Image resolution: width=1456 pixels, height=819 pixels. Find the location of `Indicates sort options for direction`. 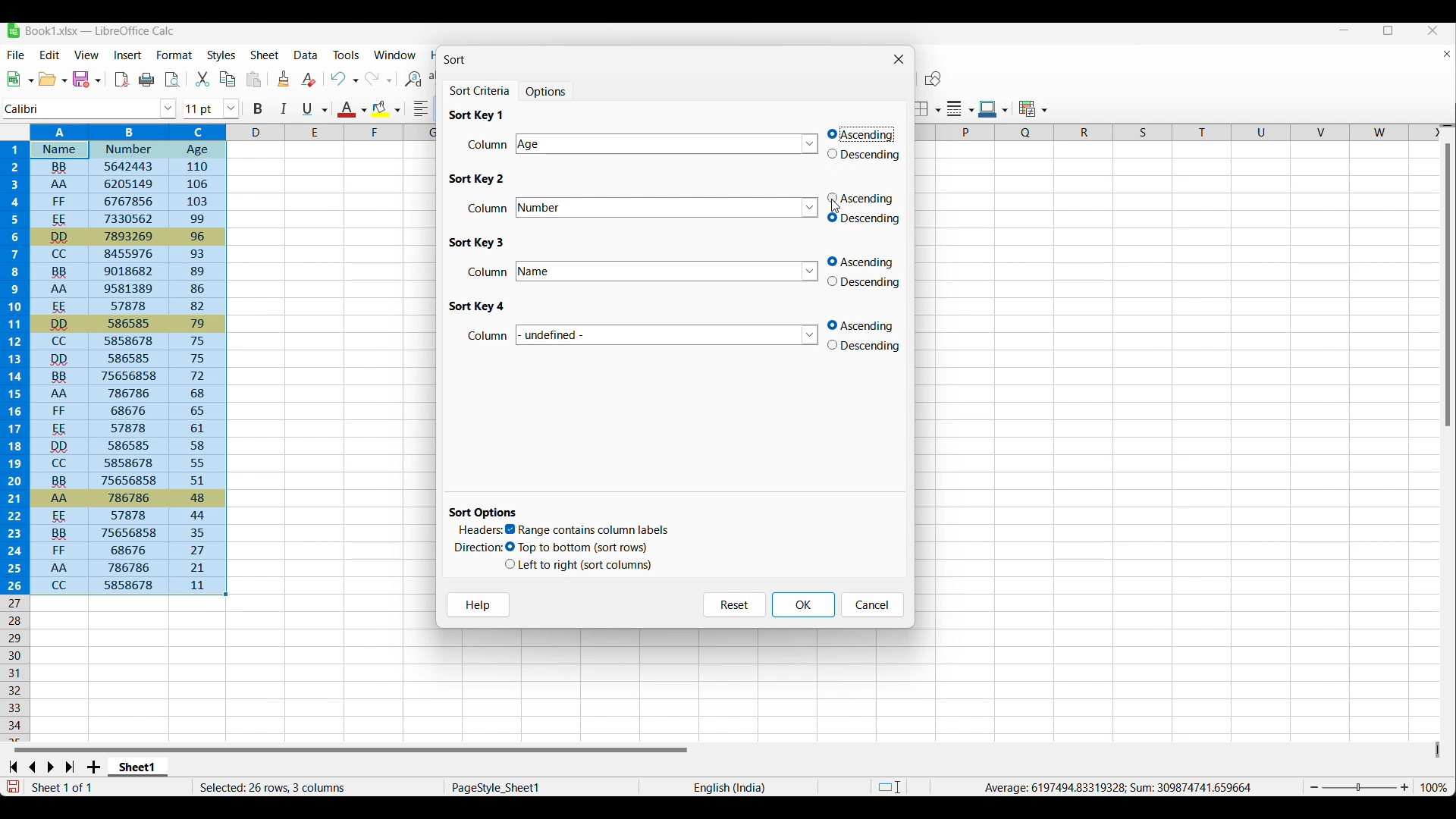

Indicates sort options for direction is located at coordinates (479, 548).